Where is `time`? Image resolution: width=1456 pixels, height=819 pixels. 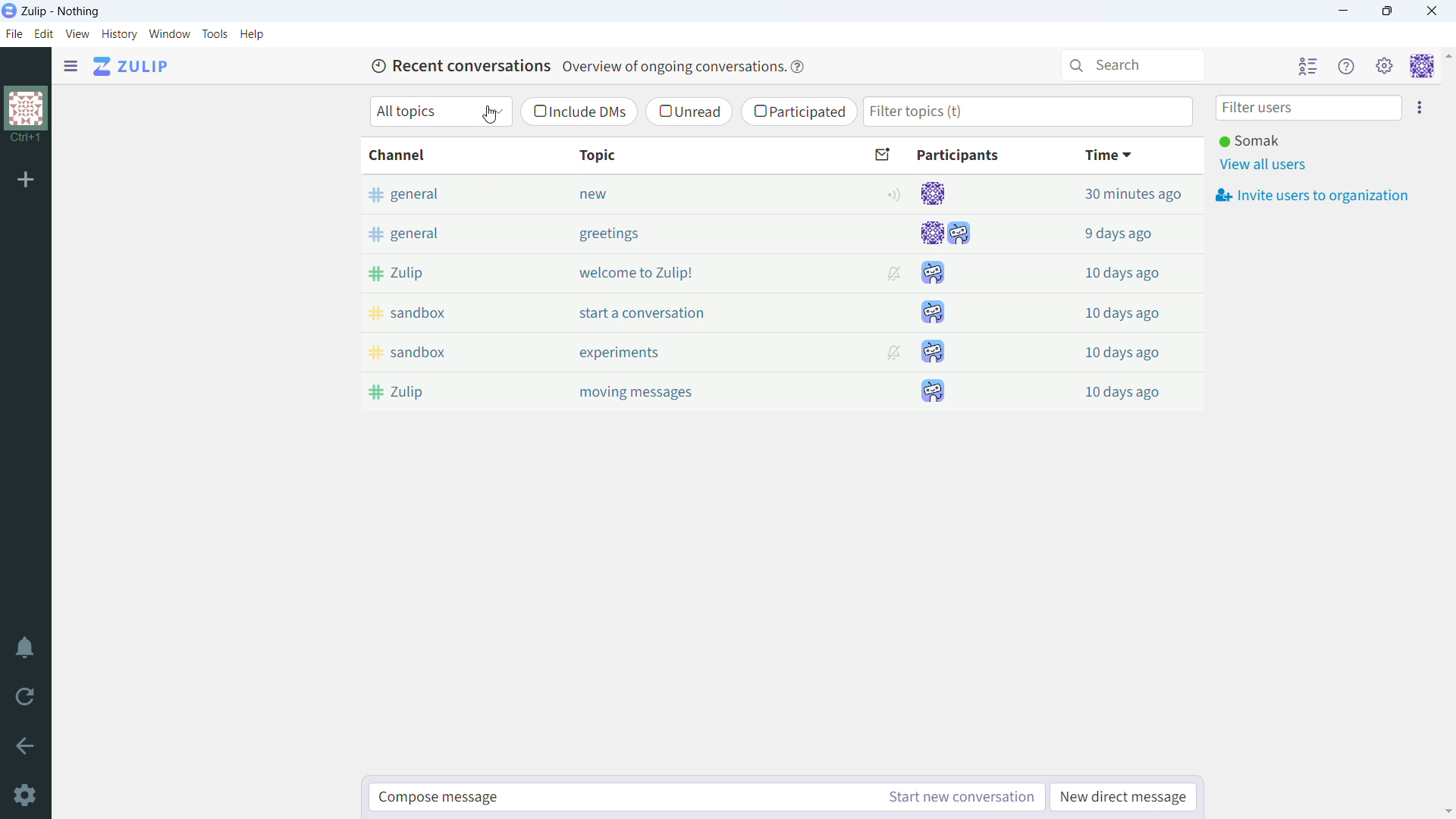 time is located at coordinates (1127, 156).